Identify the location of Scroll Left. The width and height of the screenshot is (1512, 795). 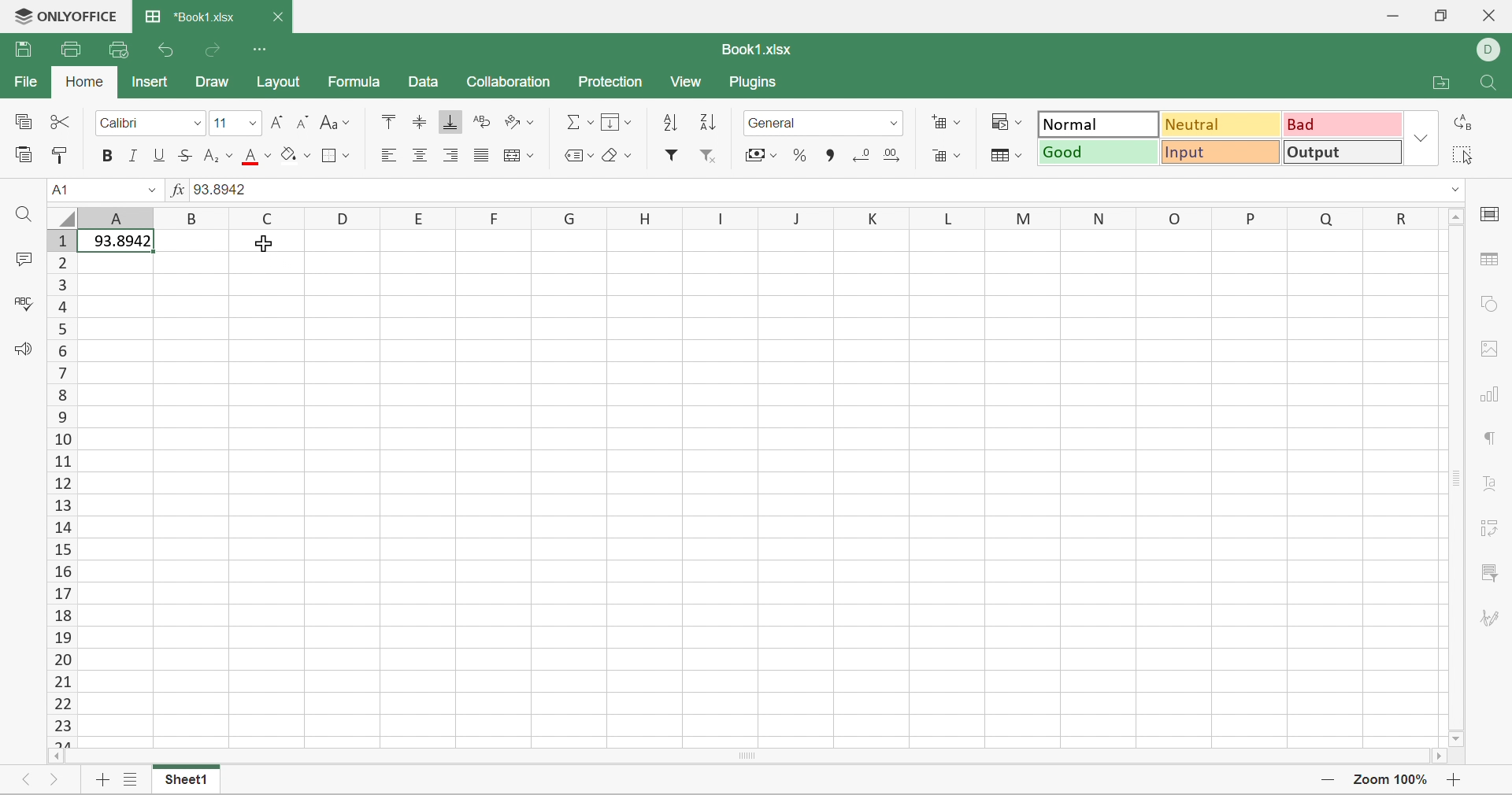
(57, 758).